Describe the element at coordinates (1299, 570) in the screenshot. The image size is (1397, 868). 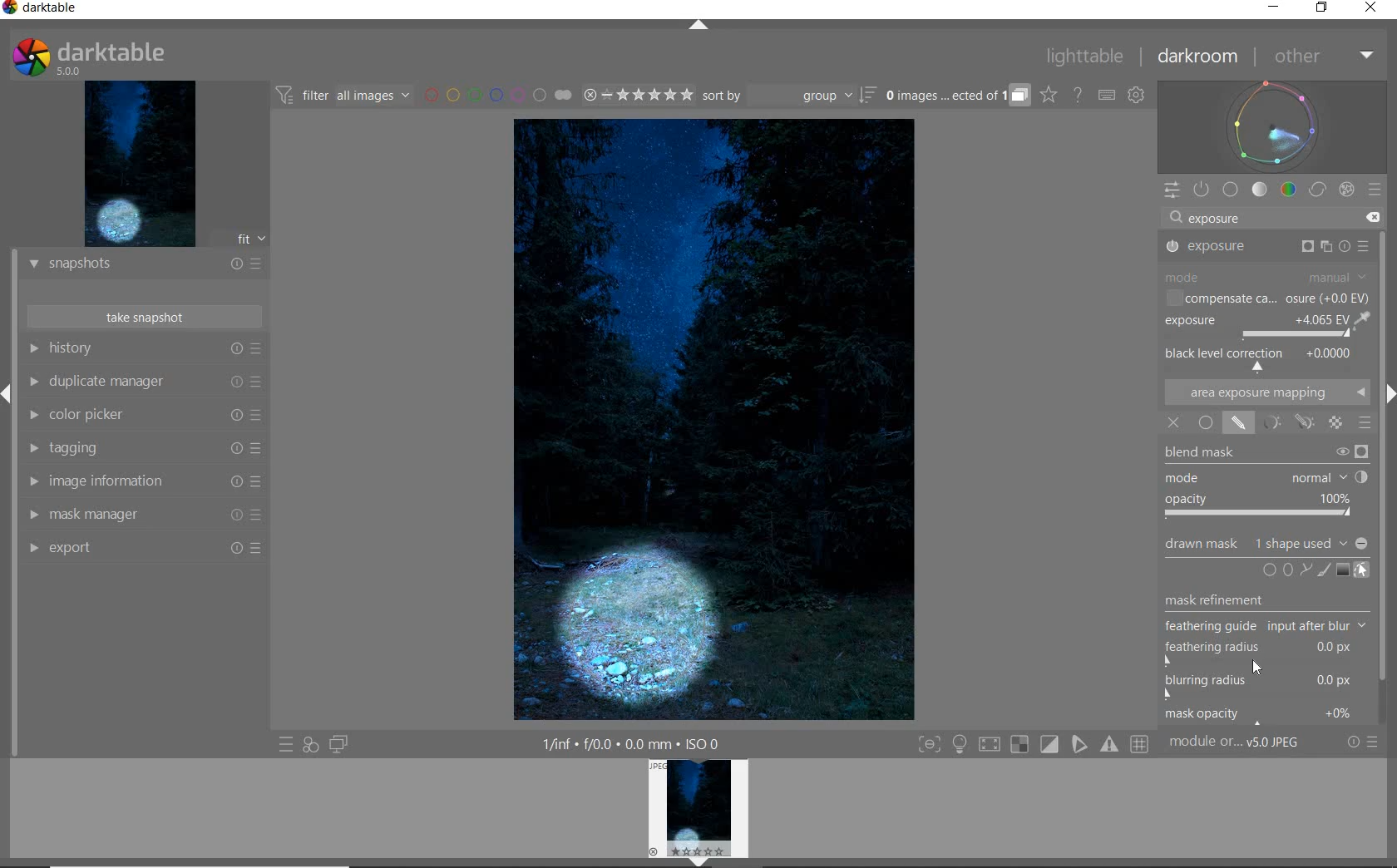
I see `ADD CIRCLE, ELLIPSE, OR PATH` at that location.